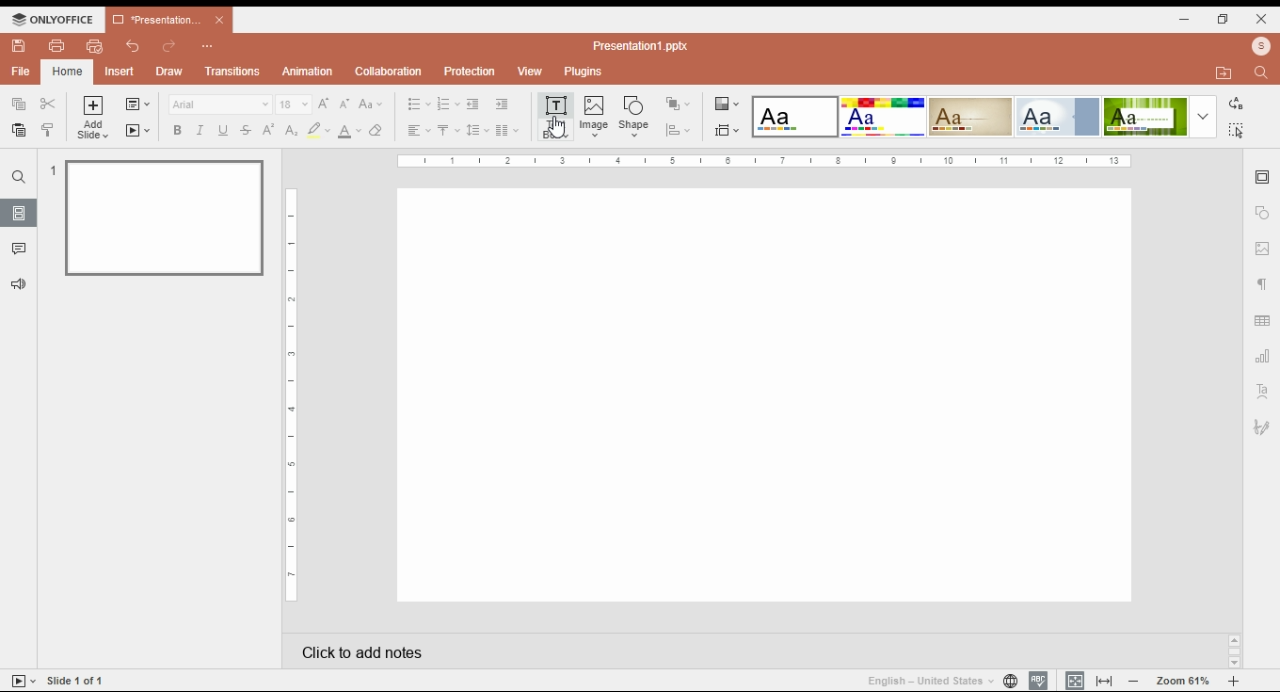 Image resolution: width=1280 pixels, height=692 pixels. What do you see at coordinates (1237, 102) in the screenshot?
I see `replace` at bounding box center [1237, 102].